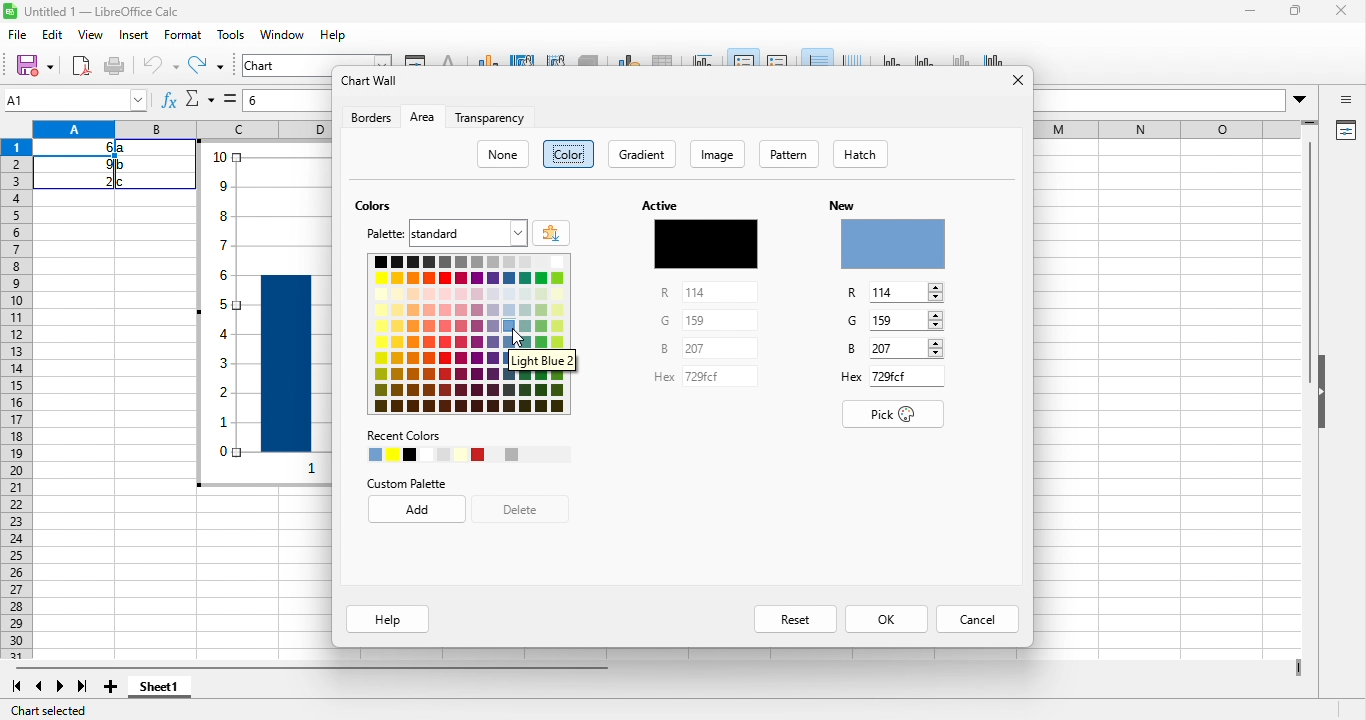  What do you see at coordinates (844, 382) in the screenshot?
I see `Hex` at bounding box center [844, 382].